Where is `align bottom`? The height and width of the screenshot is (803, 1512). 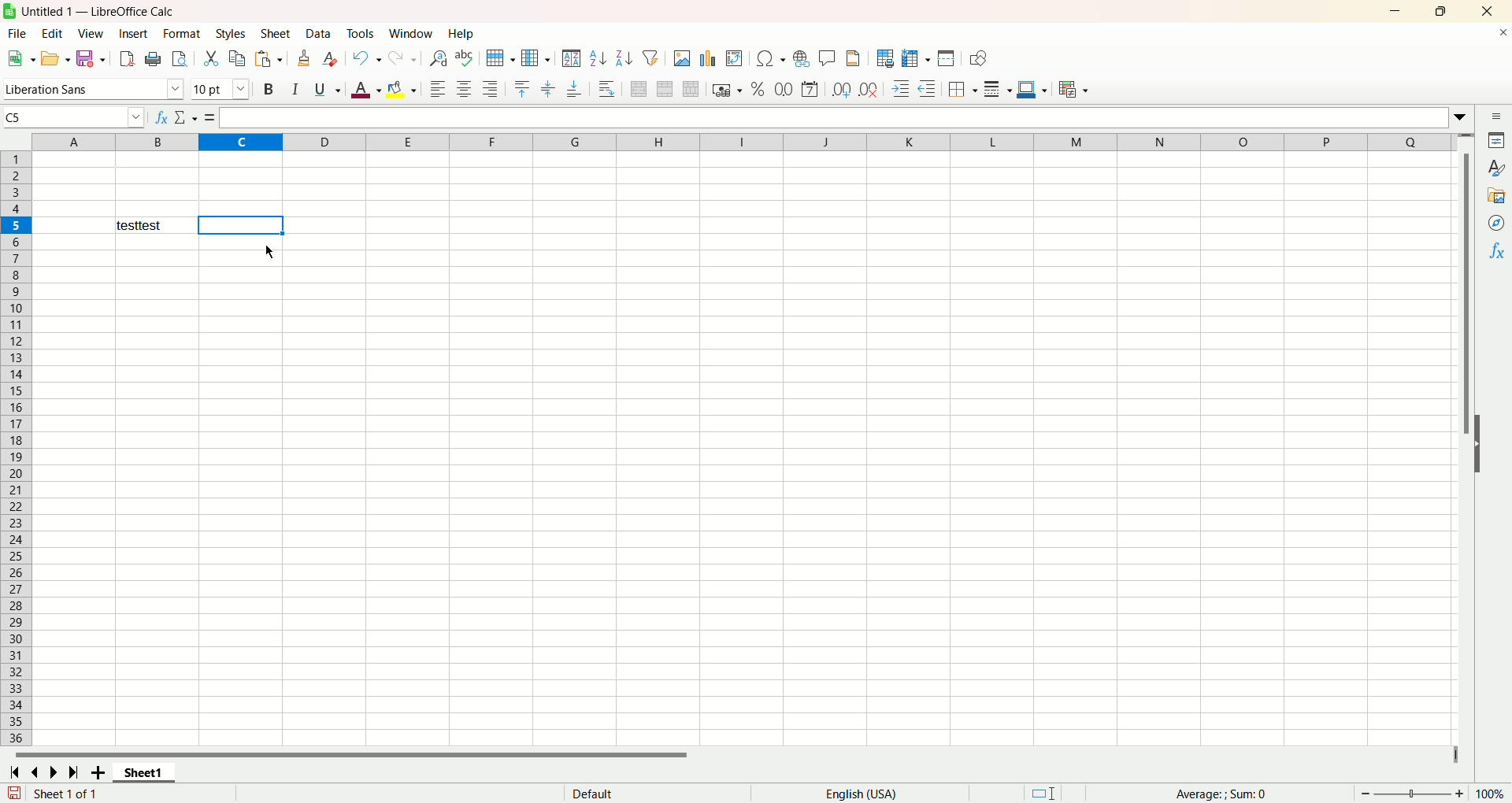
align bottom is located at coordinates (578, 88).